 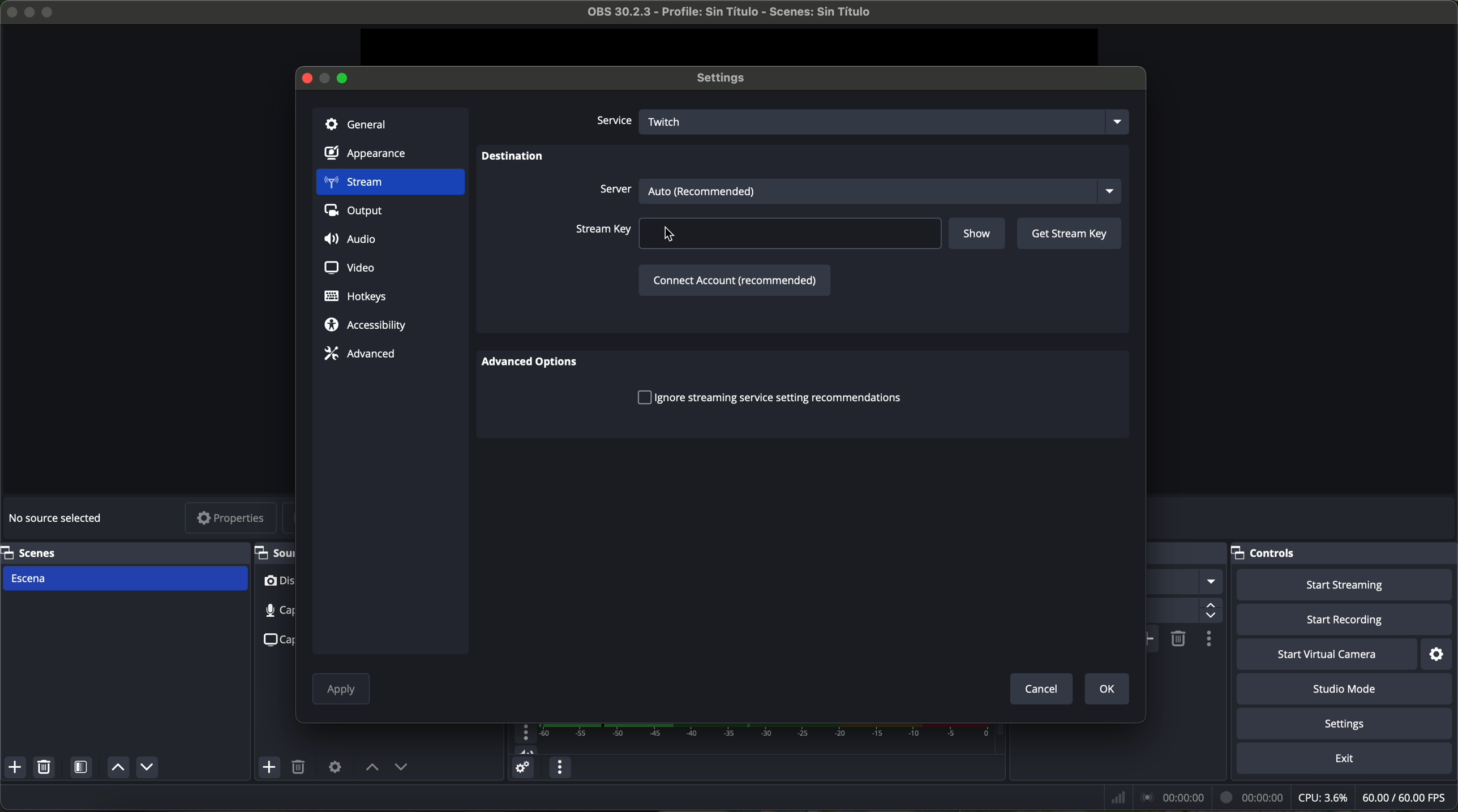 What do you see at coordinates (513, 158) in the screenshot?
I see `destination` at bounding box center [513, 158].